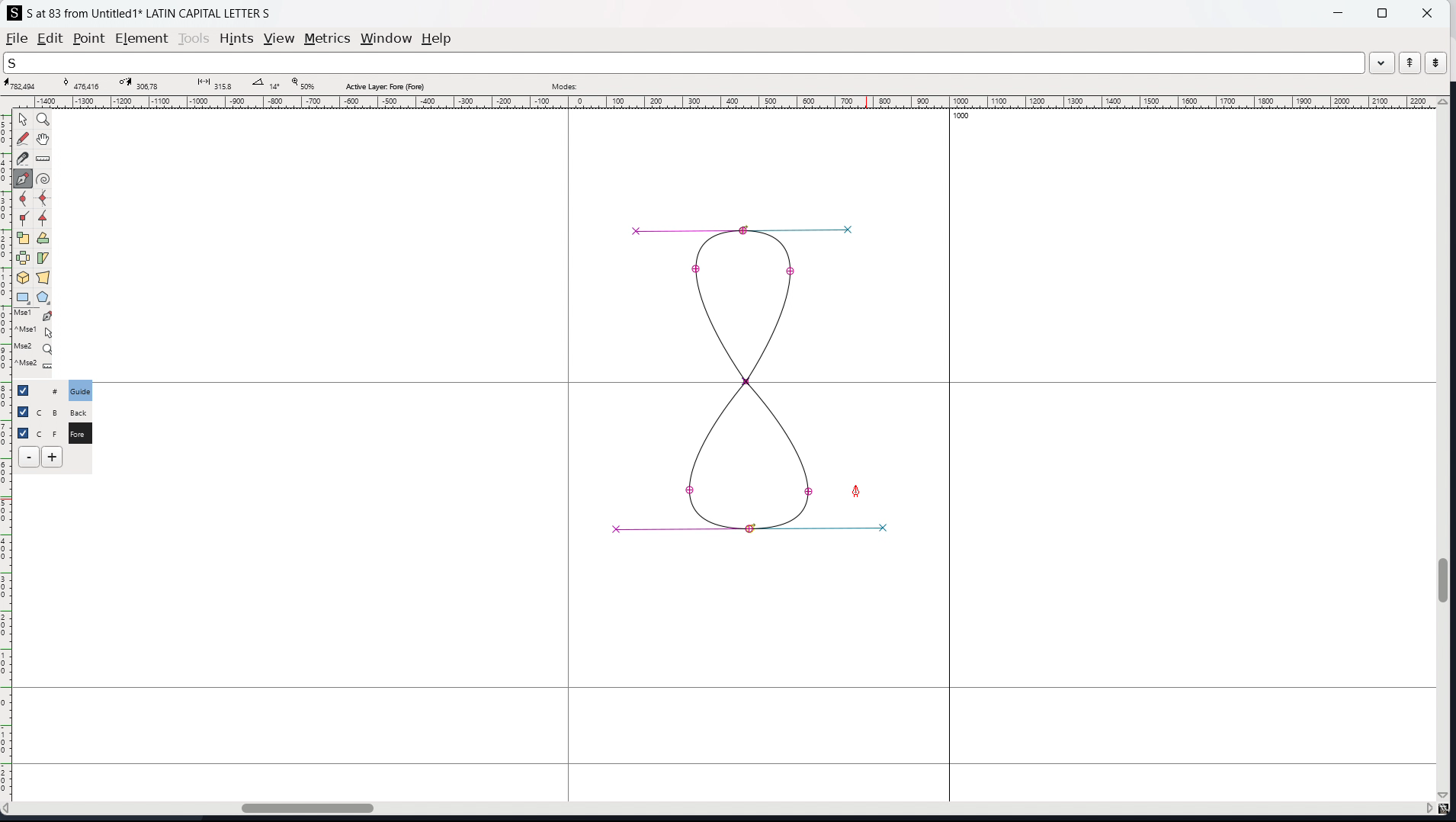 This screenshot has width=1456, height=822. Describe the element at coordinates (24, 178) in the screenshot. I see `add a point then drag out its control points` at that location.